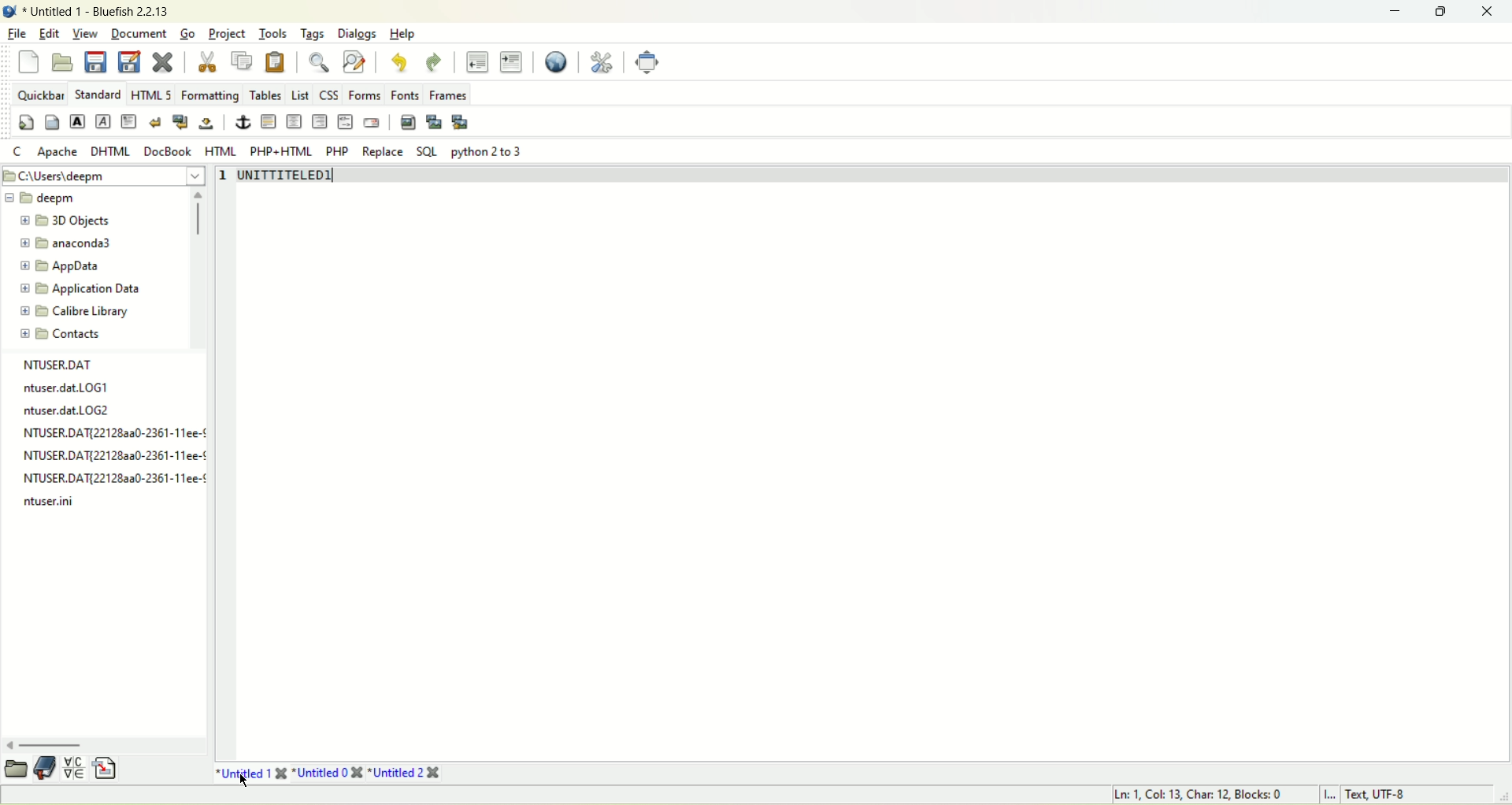 This screenshot has height=805, width=1512. I want to click on dropdown, so click(199, 174).